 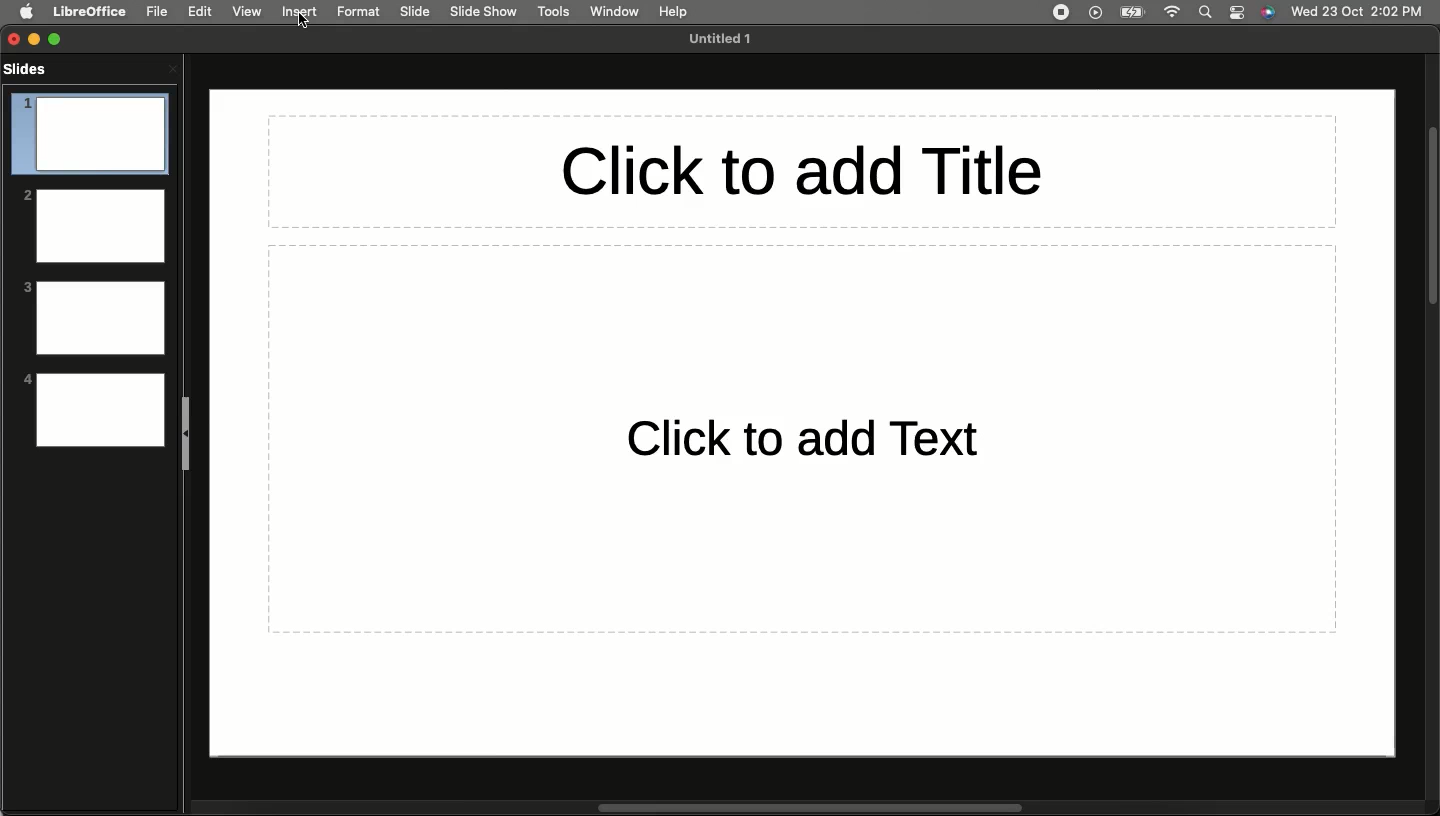 I want to click on Scroll, so click(x=1431, y=217).